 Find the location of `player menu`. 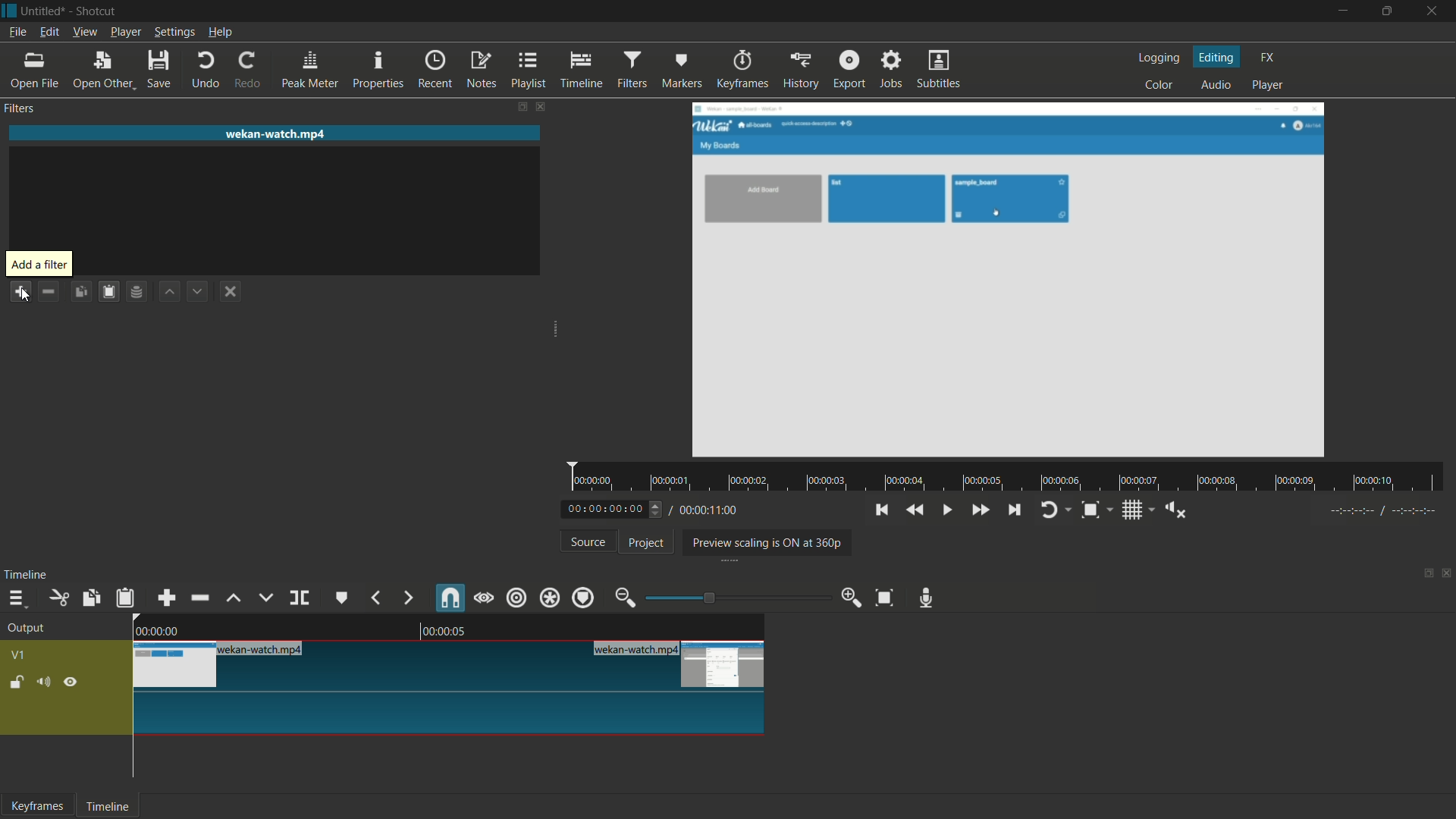

player menu is located at coordinates (125, 32).